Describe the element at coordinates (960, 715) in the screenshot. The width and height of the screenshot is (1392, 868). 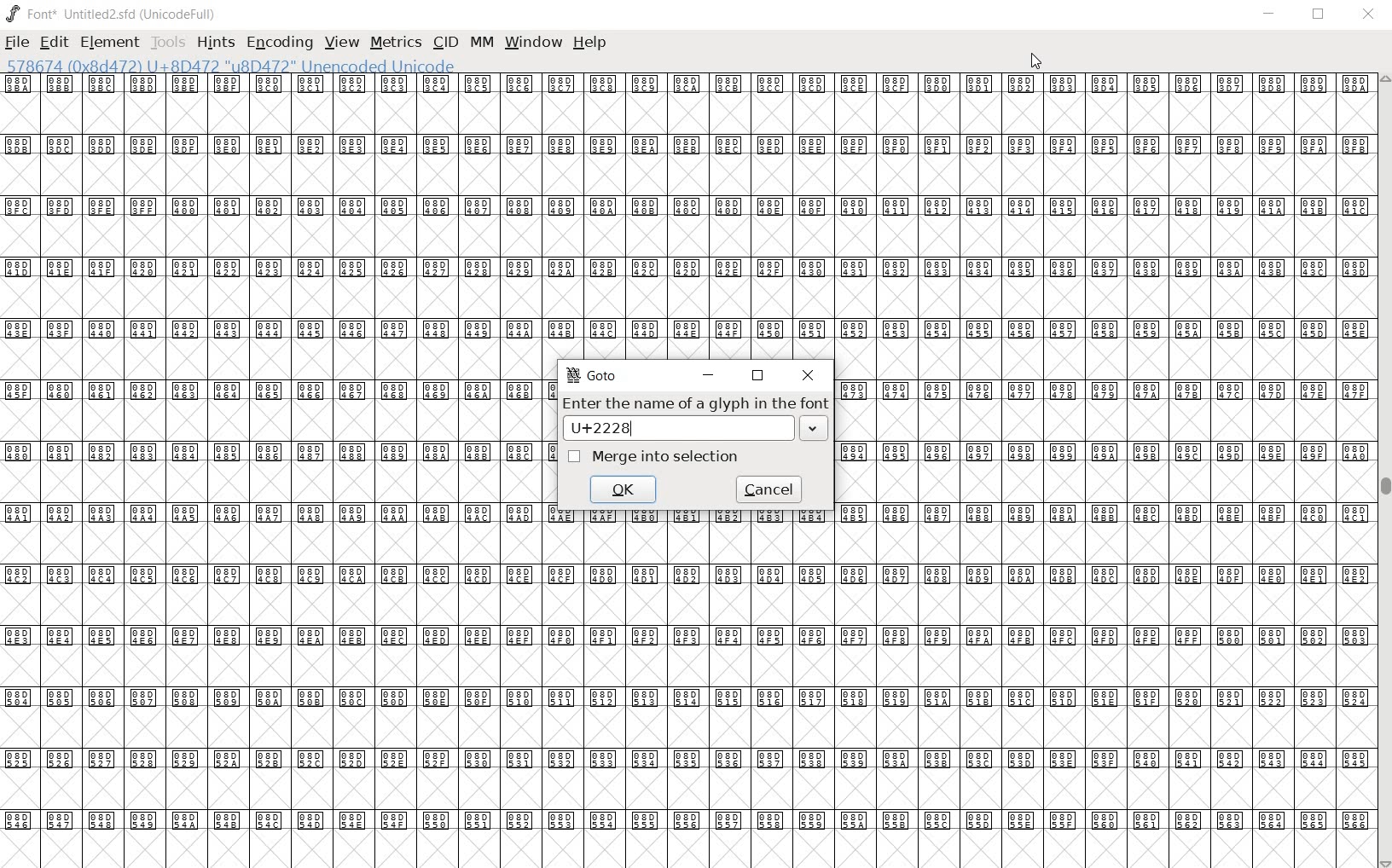
I see `glyph characters` at that location.